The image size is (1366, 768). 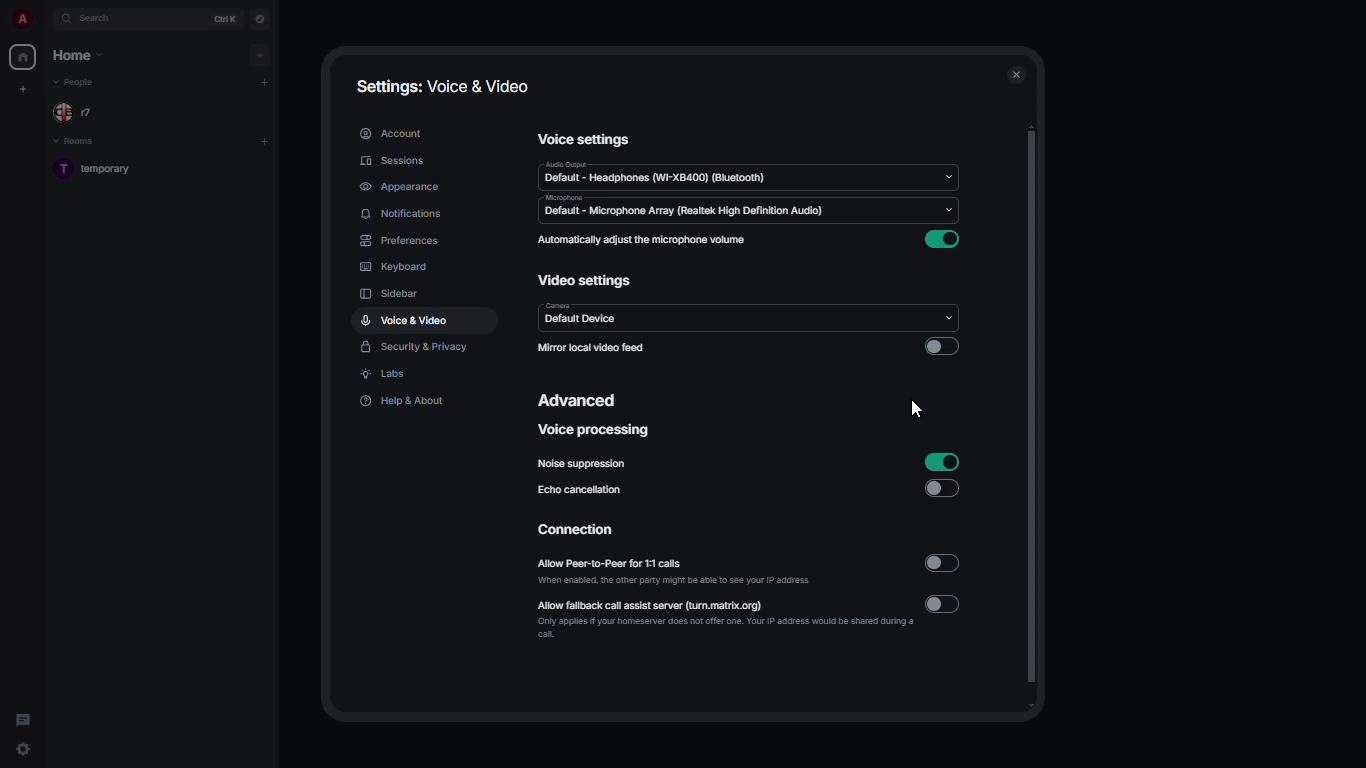 I want to click on room, so click(x=99, y=170).